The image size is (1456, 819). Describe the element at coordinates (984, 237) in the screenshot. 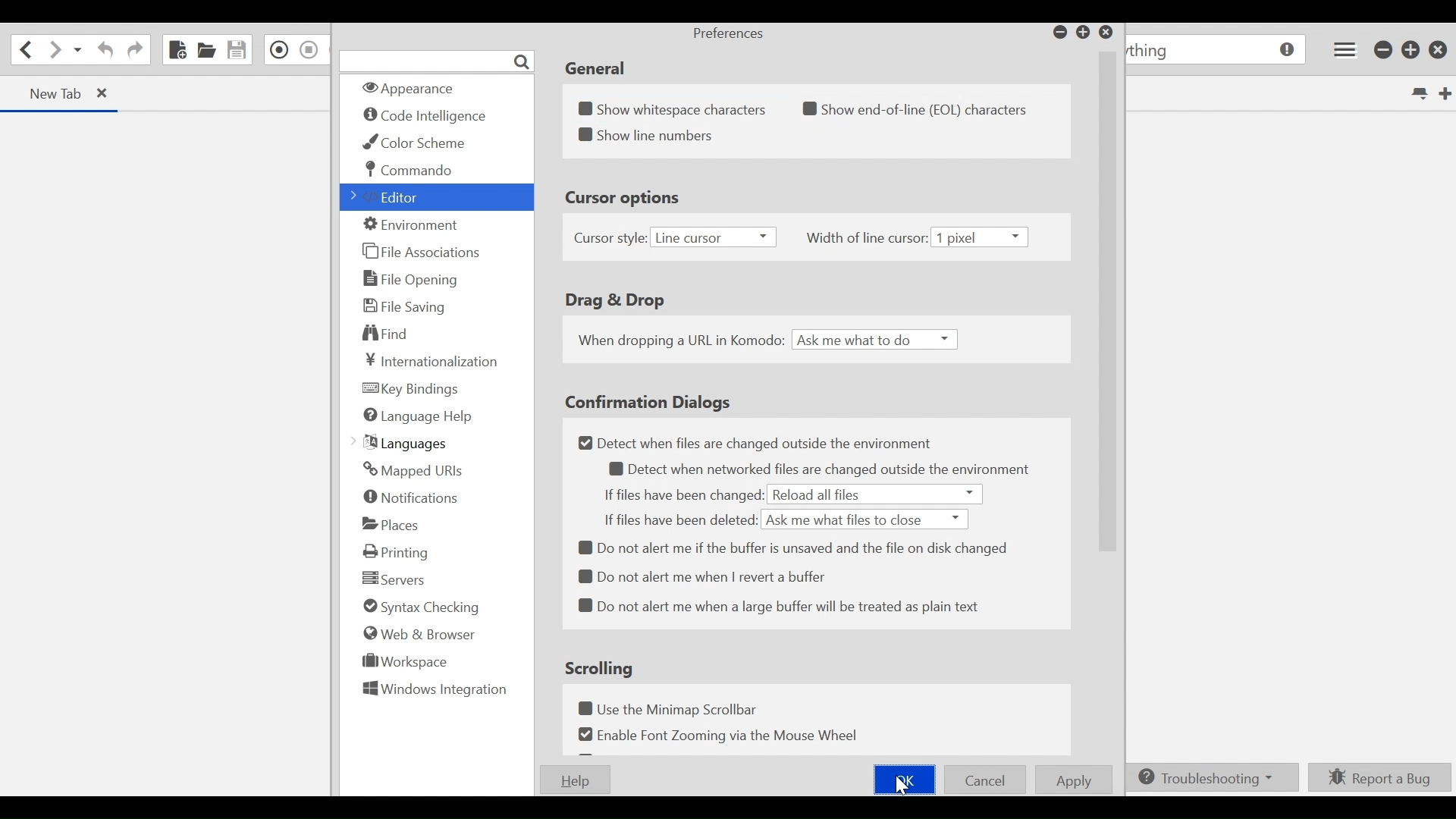

I see `1 pixel` at that location.